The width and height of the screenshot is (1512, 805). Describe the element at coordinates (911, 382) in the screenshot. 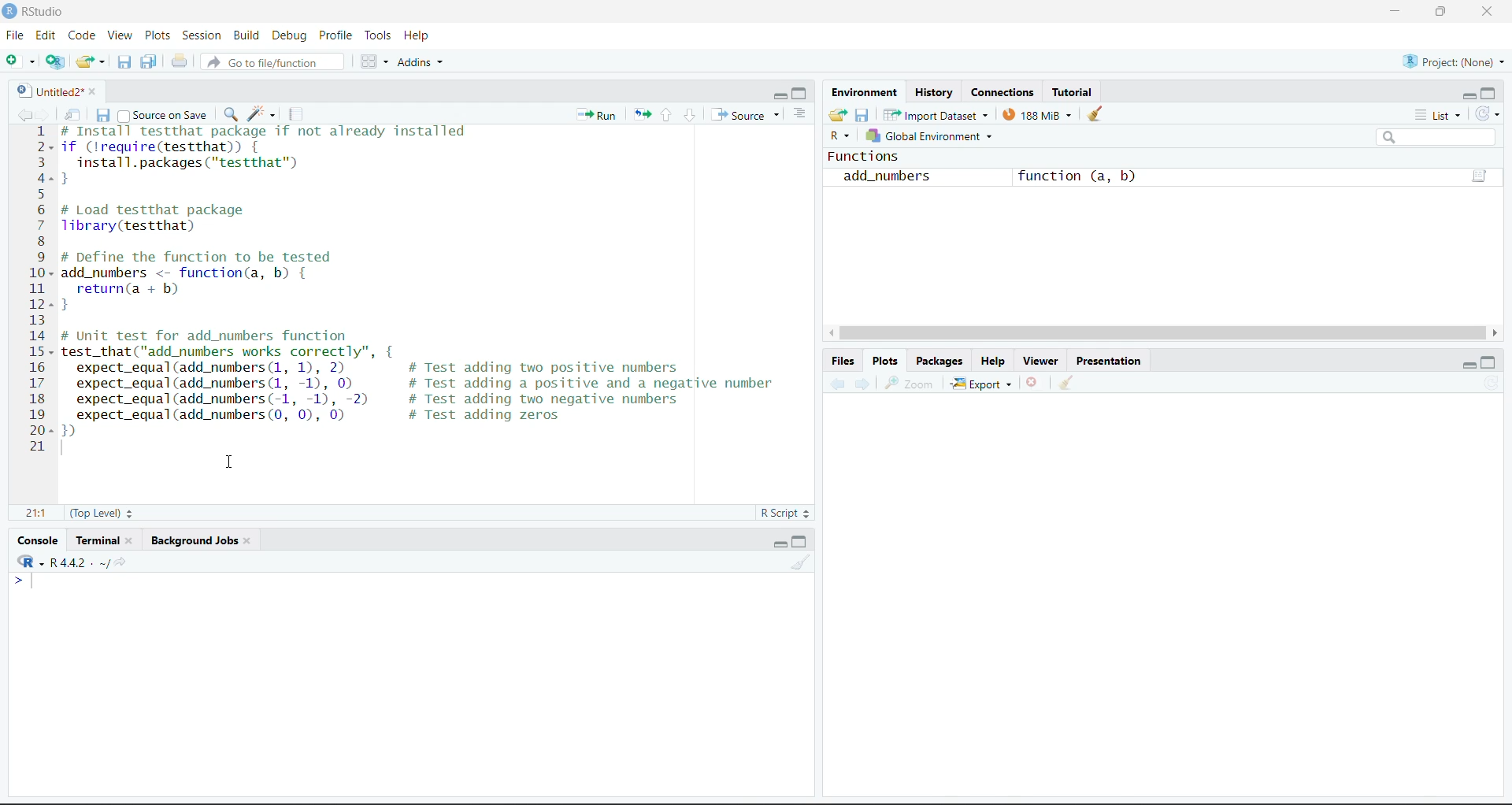

I see `zoom` at that location.